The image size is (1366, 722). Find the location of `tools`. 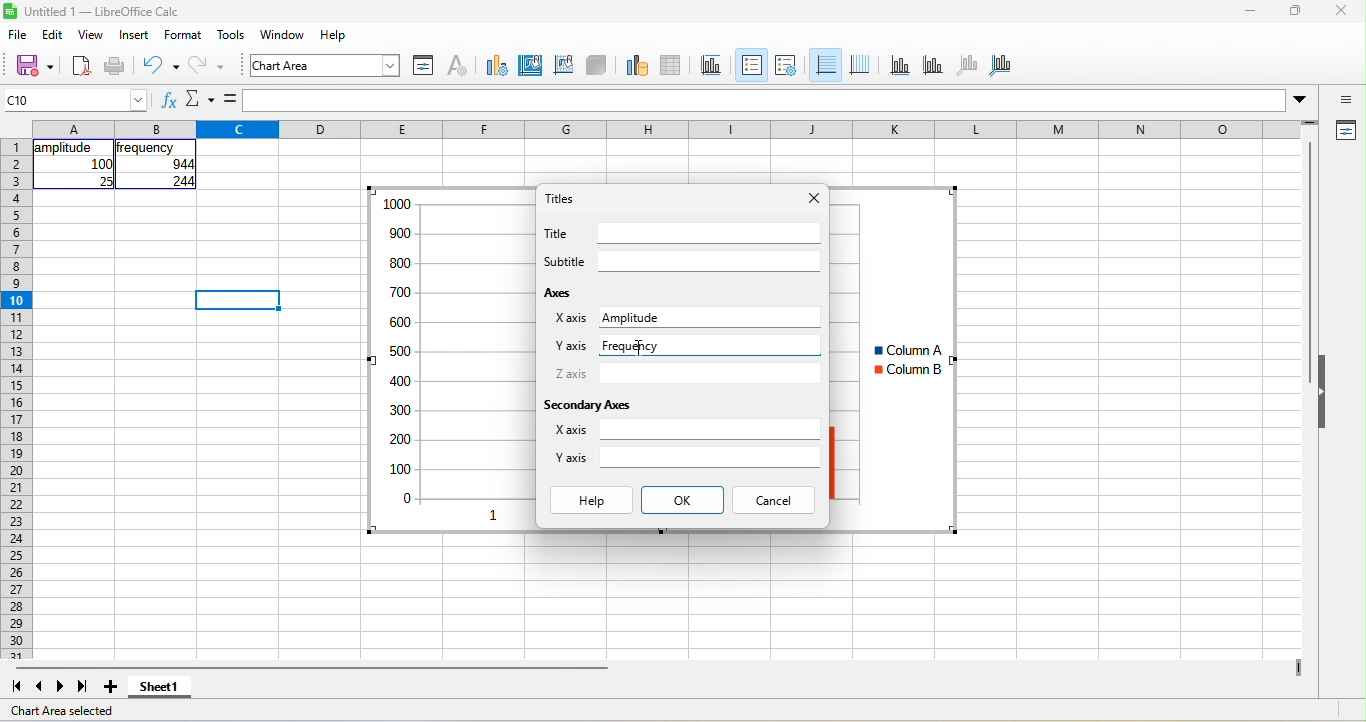

tools is located at coordinates (231, 34).